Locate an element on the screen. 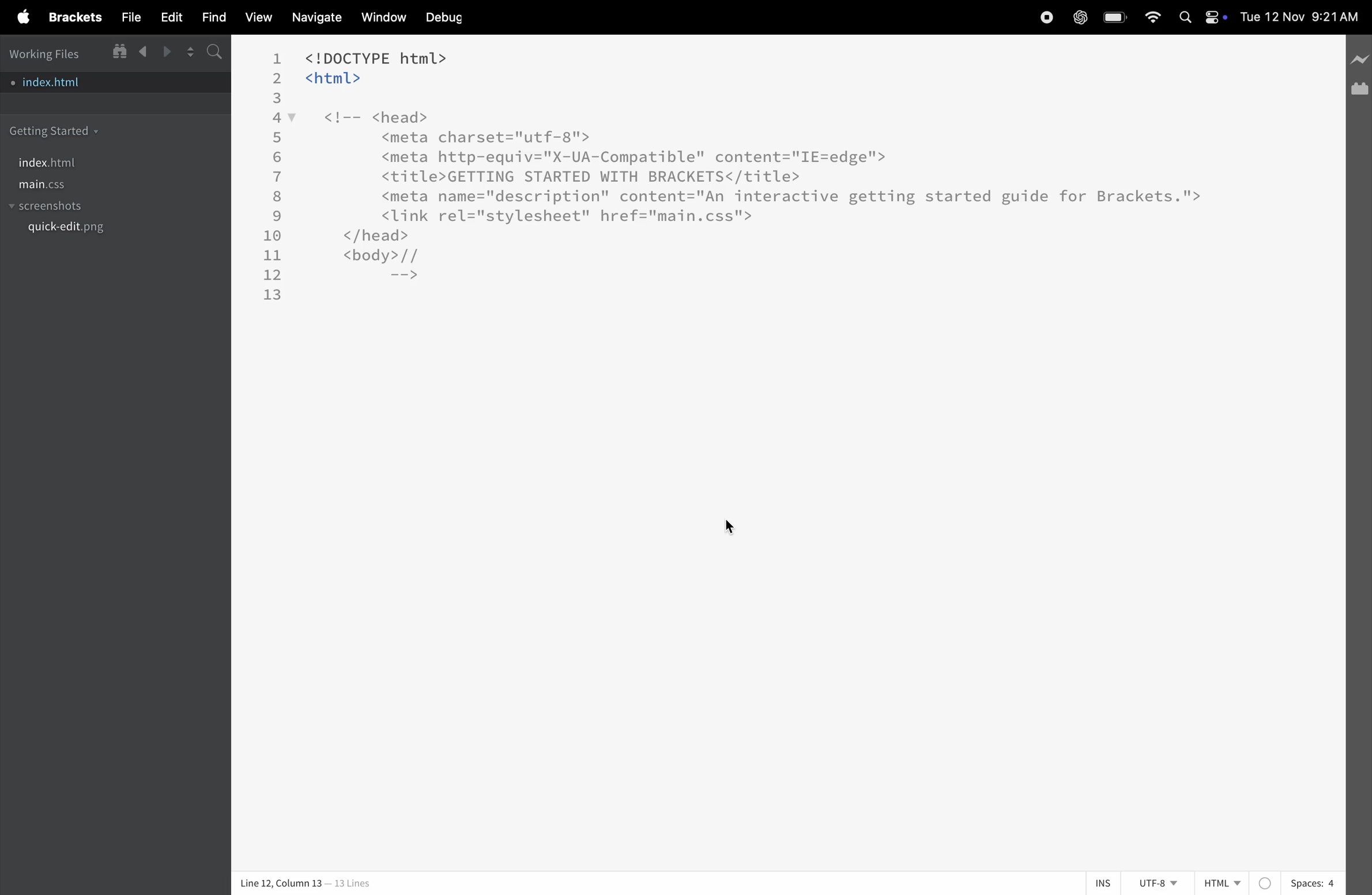 Image resolution: width=1372 pixels, height=895 pixels. Line 12, Column 13 — 13 Lines is located at coordinates (307, 882).